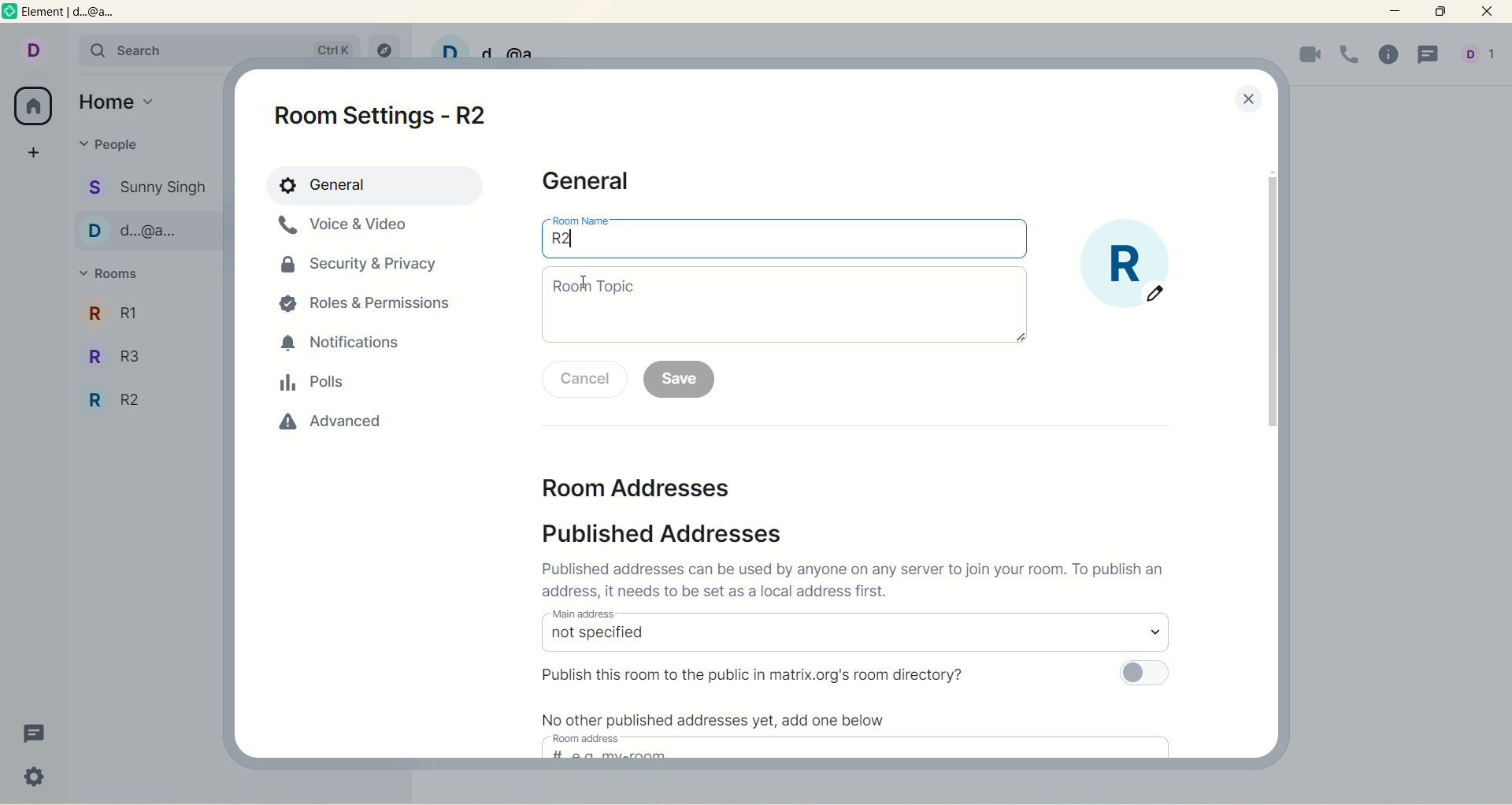 Image resolution: width=1512 pixels, height=805 pixels. Describe the element at coordinates (382, 46) in the screenshot. I see `explore rooms` at that location.